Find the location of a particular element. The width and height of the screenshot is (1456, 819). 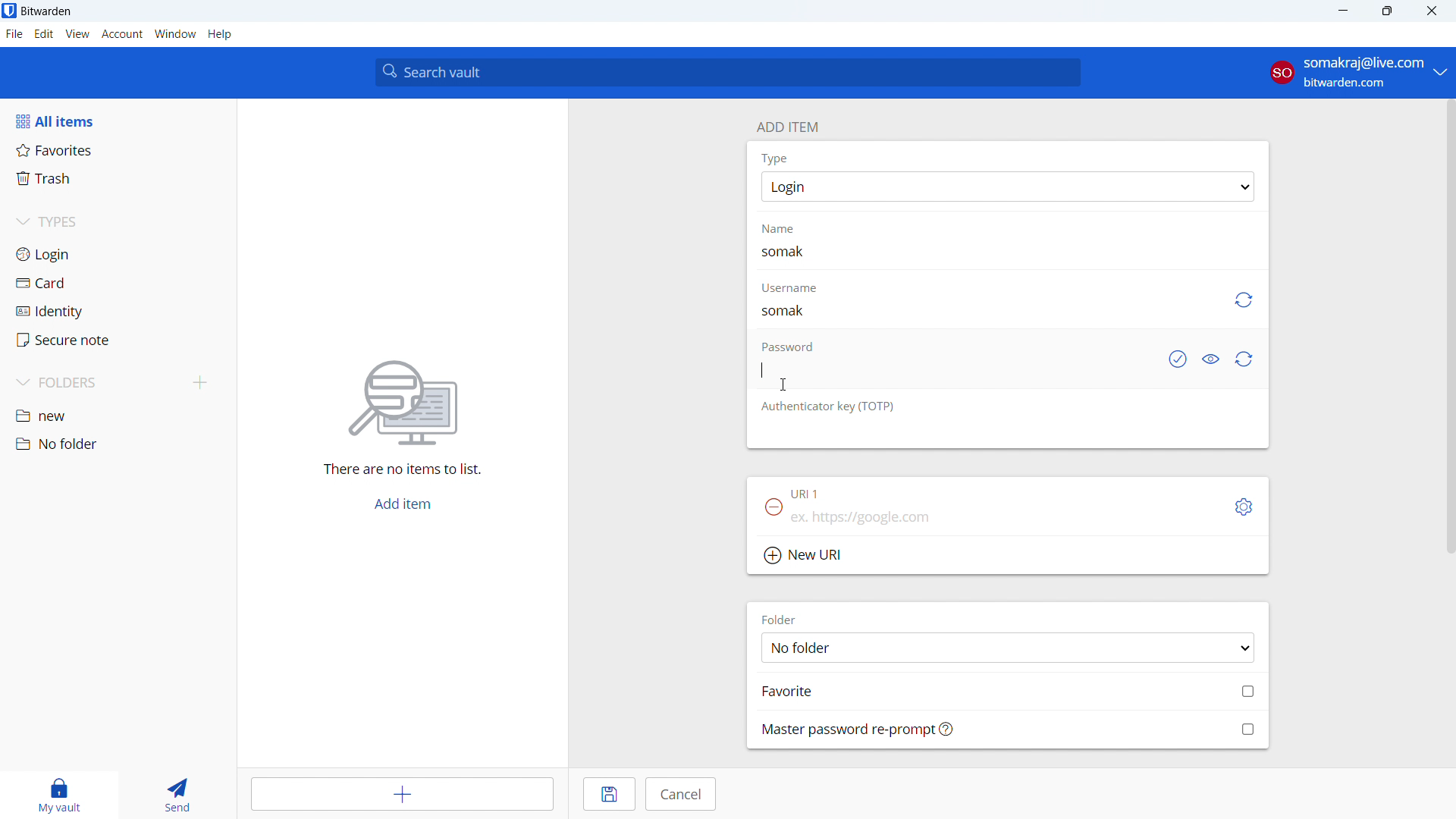

my vault is located at coordinates (55, 795).